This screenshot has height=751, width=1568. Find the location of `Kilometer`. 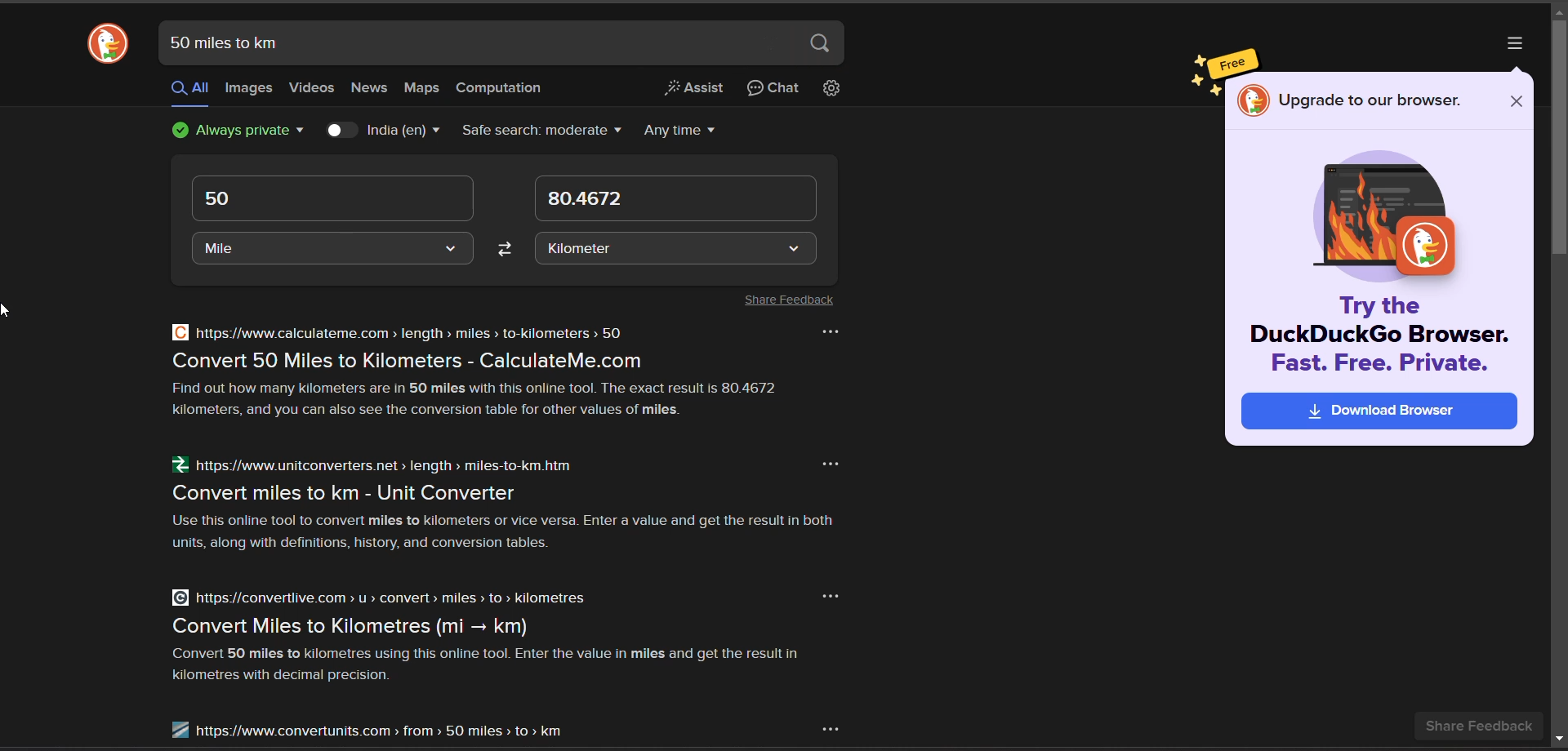

Kilometer is located at coordinates (579, 249).